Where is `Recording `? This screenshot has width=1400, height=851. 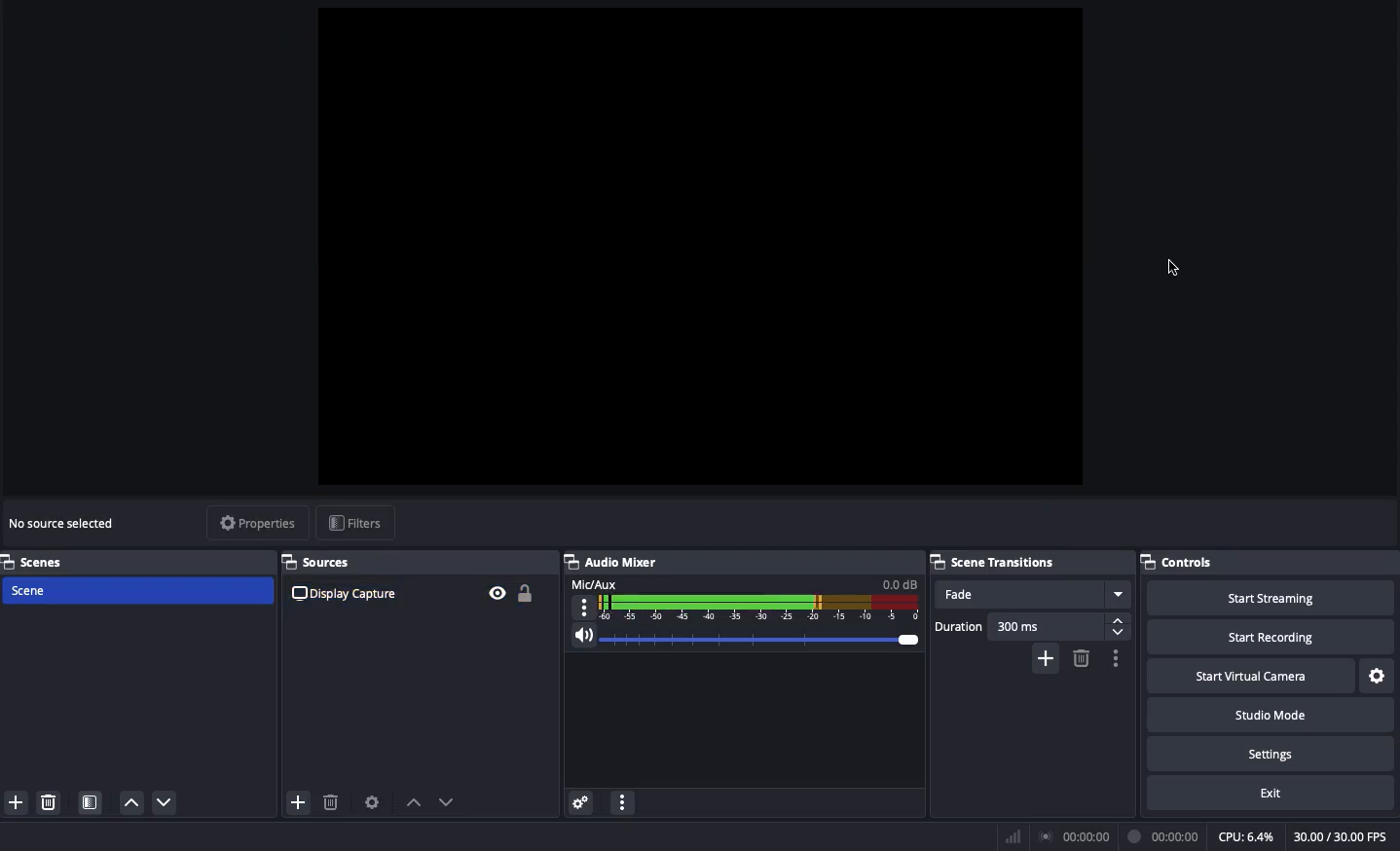
Recording  is located at coordinates (1164, 836).